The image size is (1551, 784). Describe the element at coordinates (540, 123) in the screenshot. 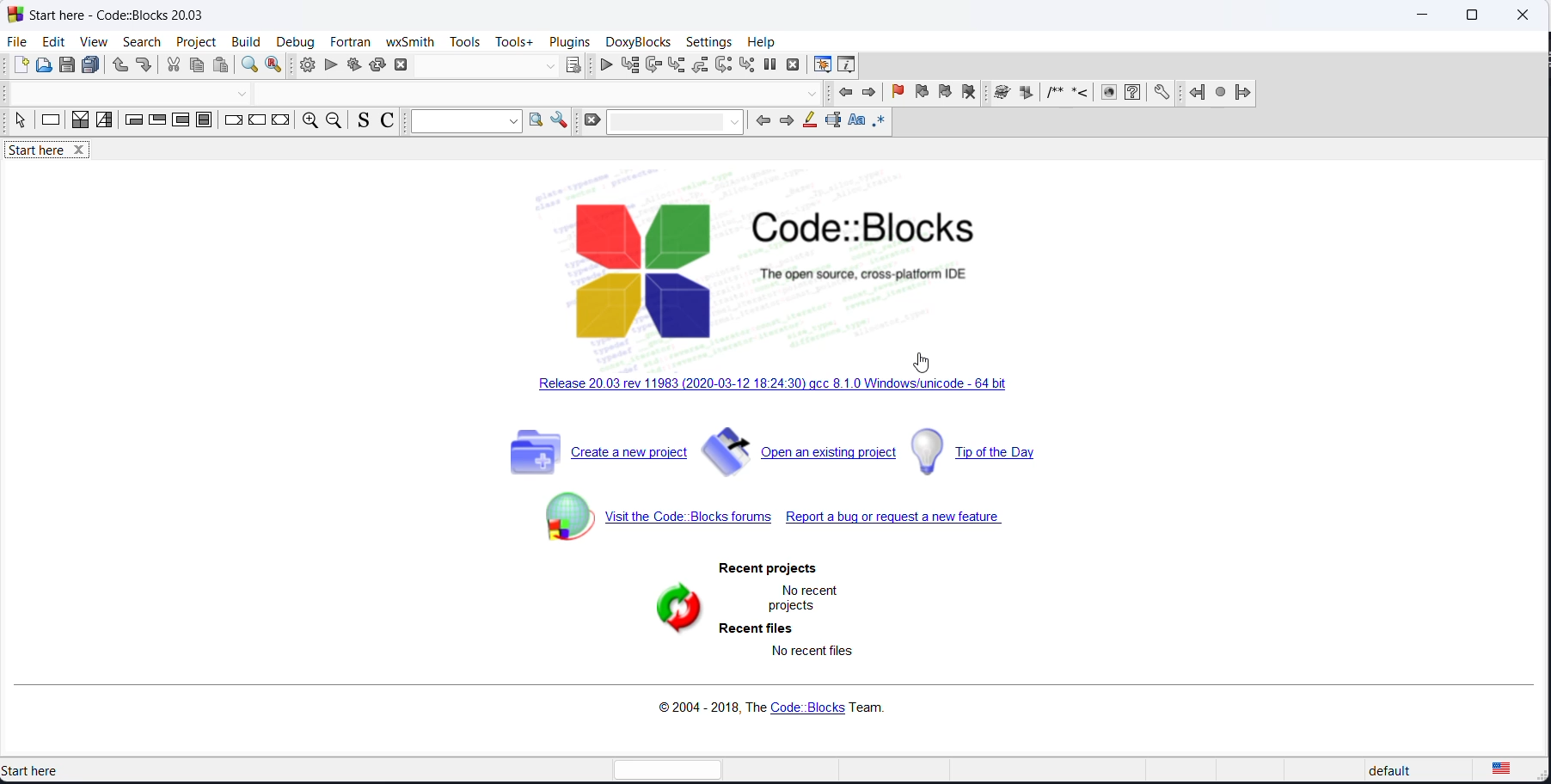

I see `option window` at that location.